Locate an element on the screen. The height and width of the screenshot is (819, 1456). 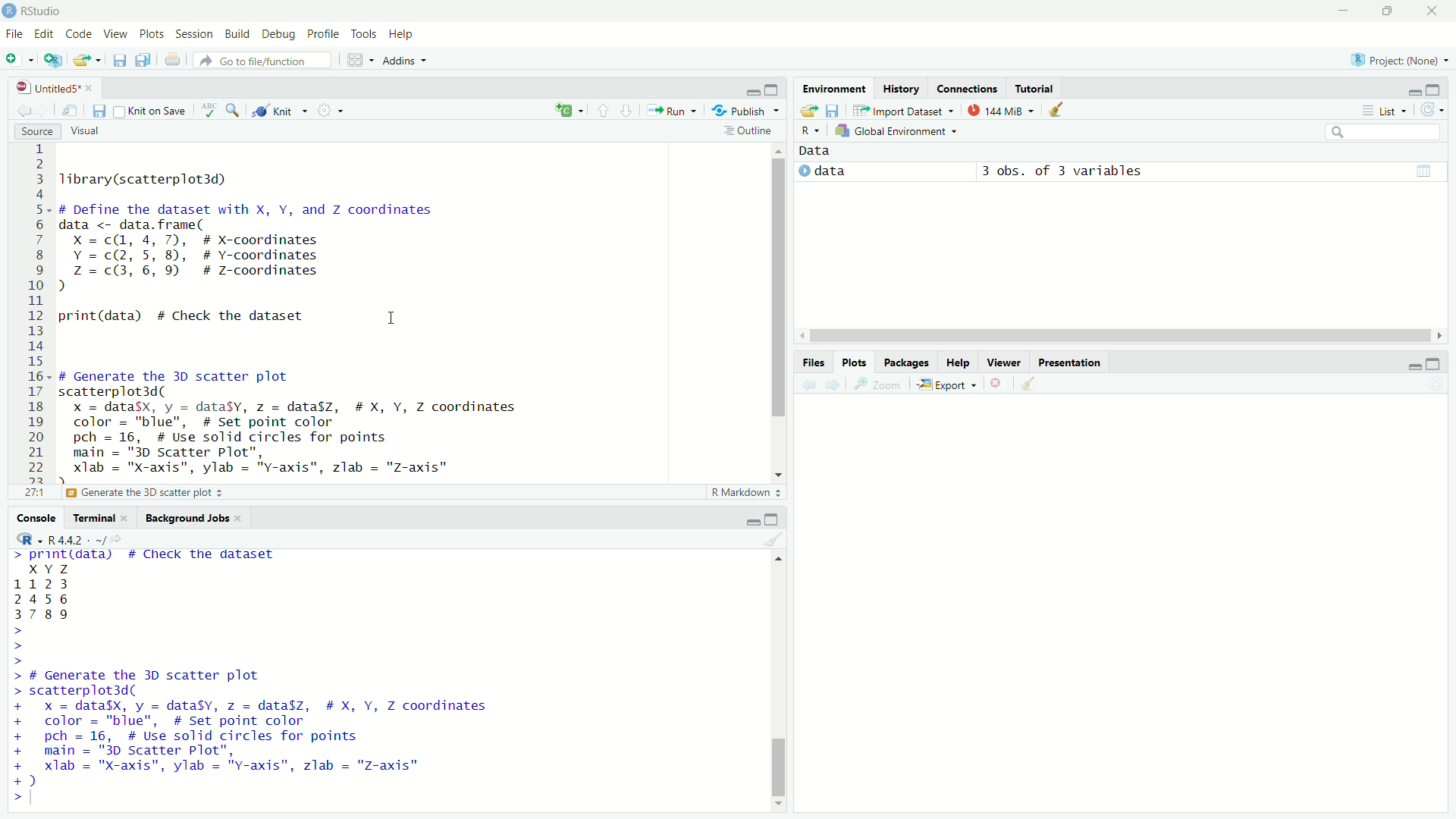
typing cursor is located at coordinates (38, 801).